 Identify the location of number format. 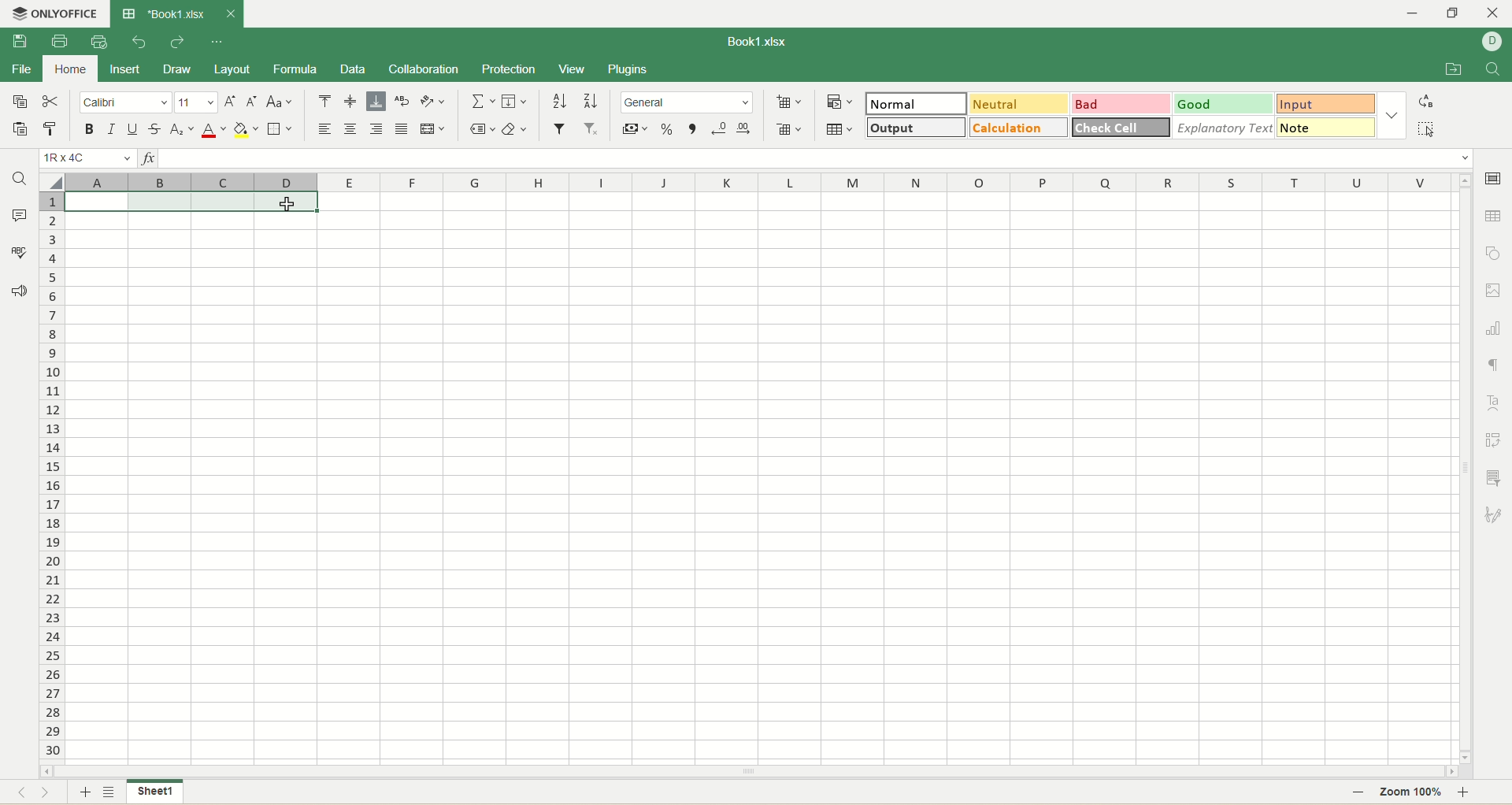
(687, 102).